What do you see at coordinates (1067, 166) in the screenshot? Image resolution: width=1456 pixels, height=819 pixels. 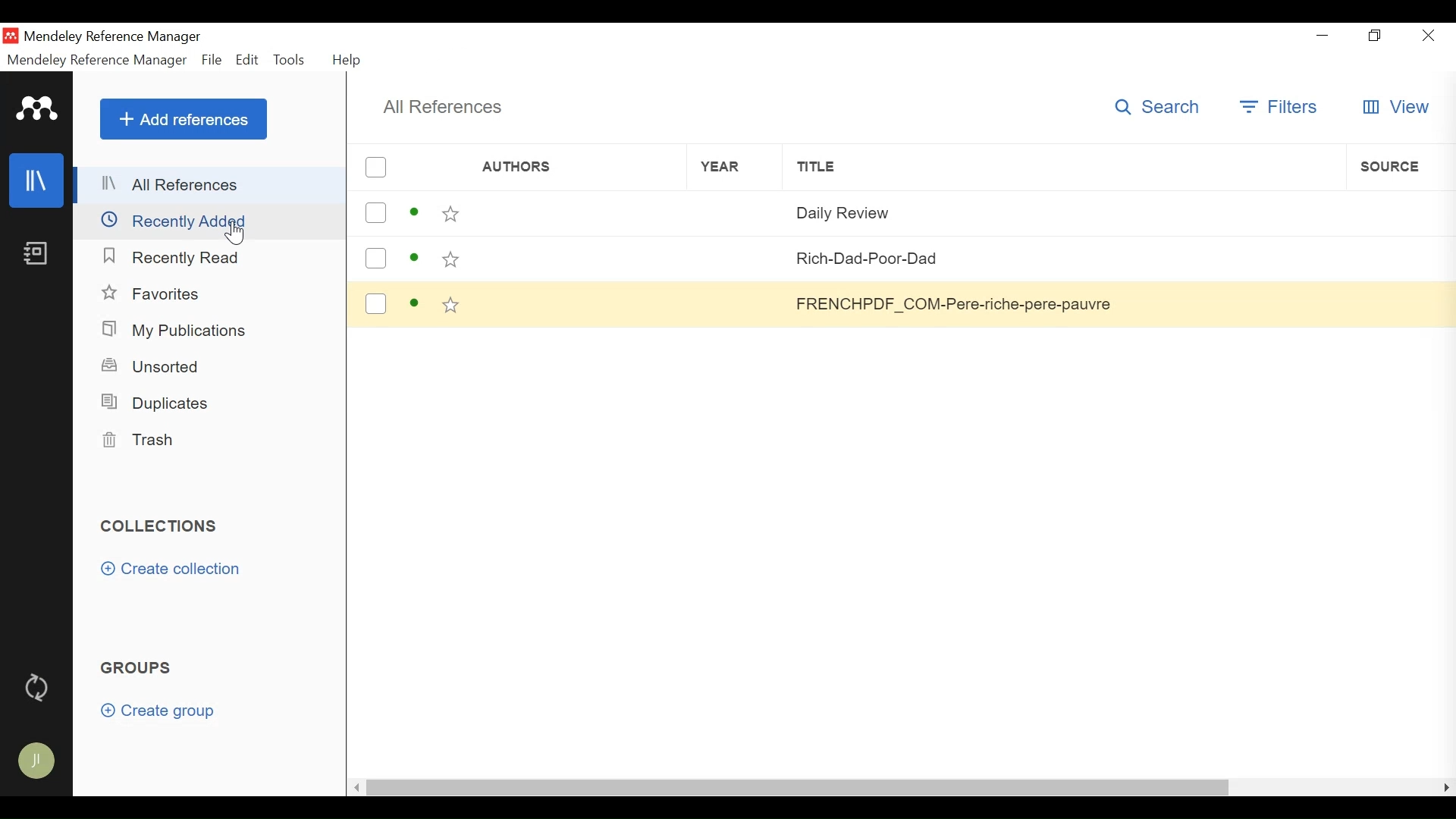 I see `Title` at bounding box center [1067, 166].